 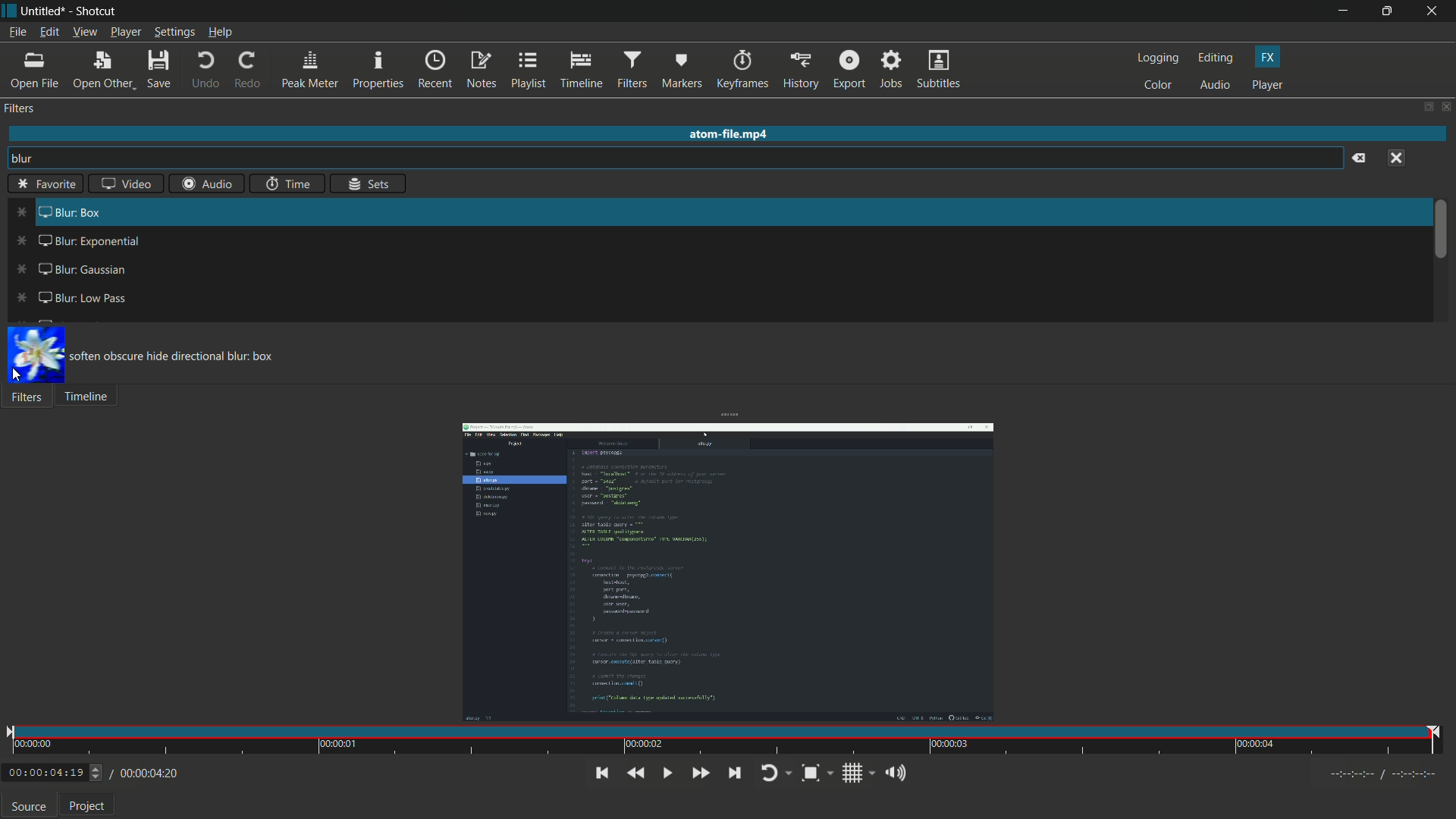 I want to click on source, so click(x=28, y=807).